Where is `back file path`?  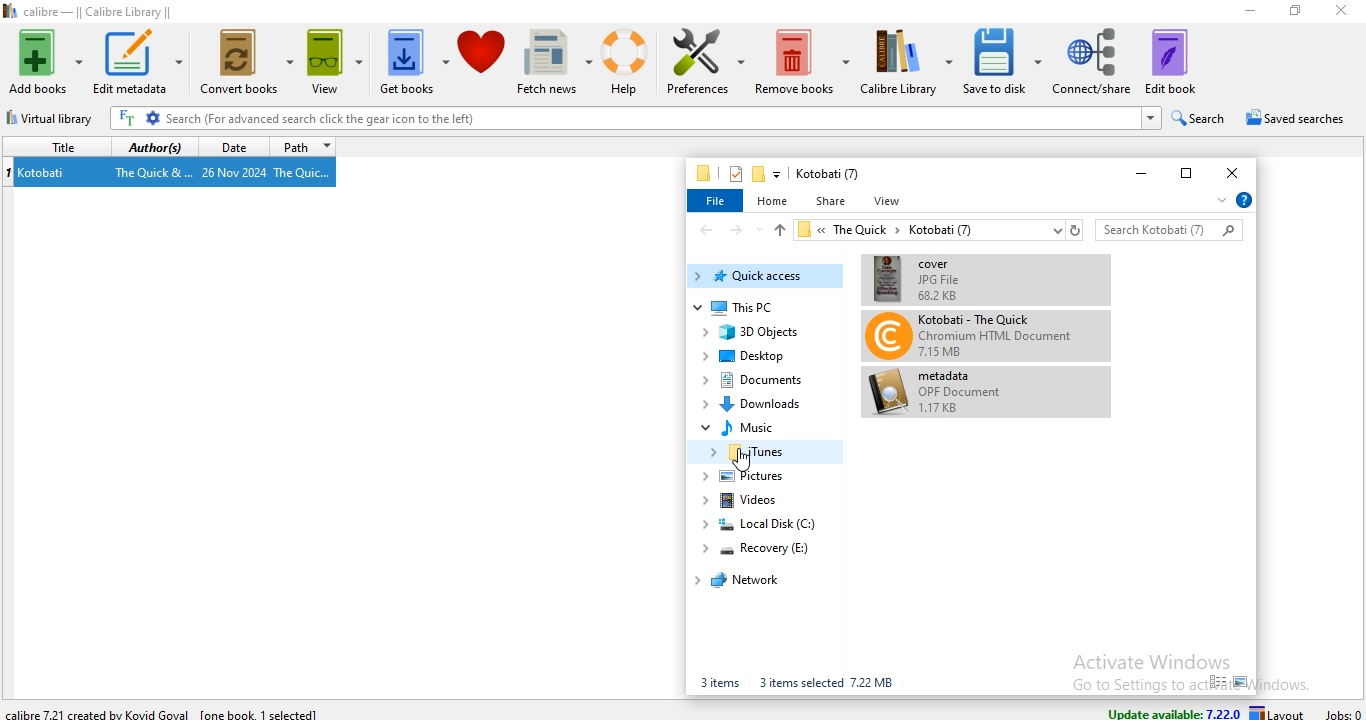 back file path is located at coordinates (705, 230).